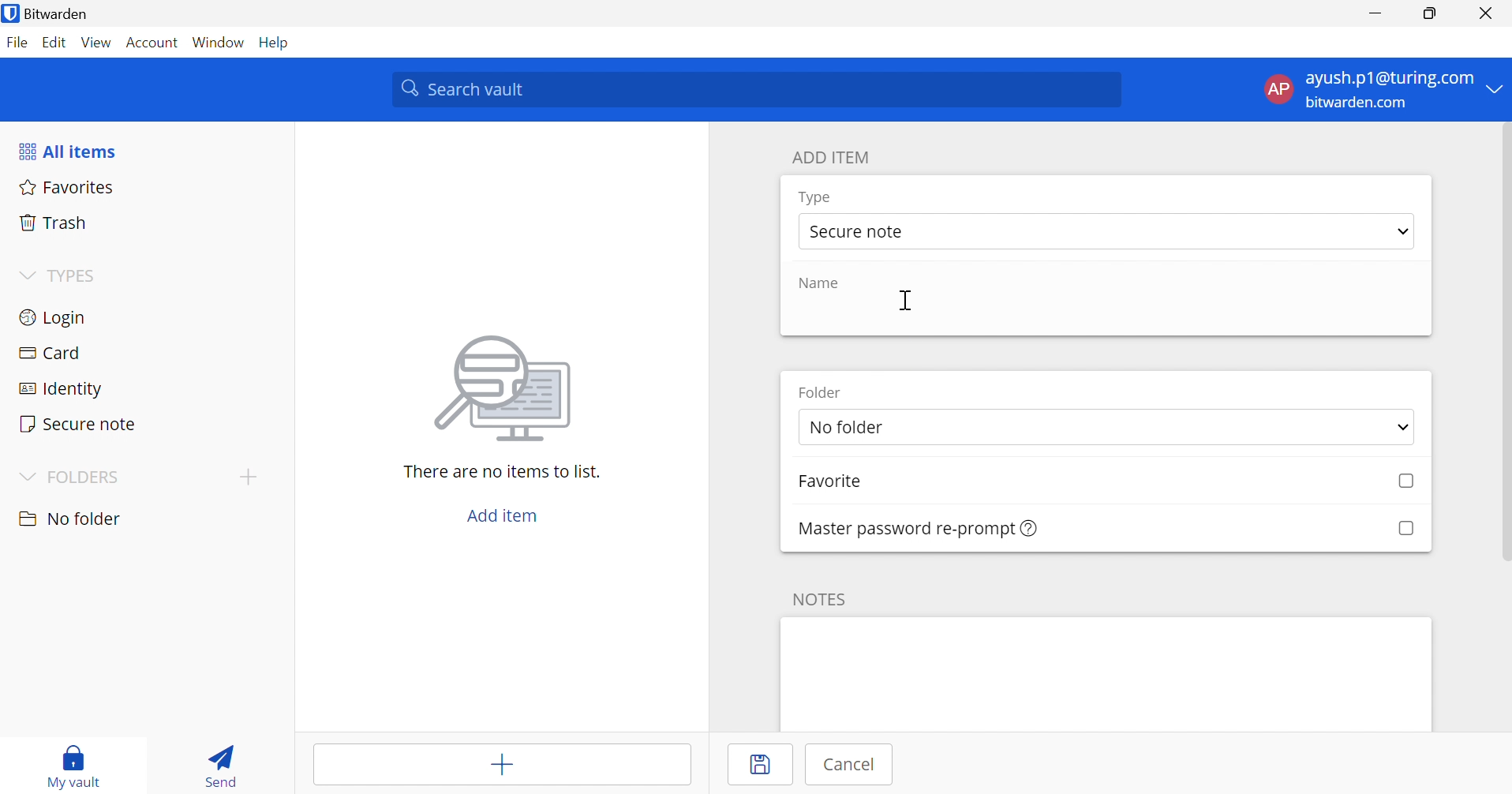  Describe the element at coordinates (758, 90) in the screenshot. I see `Search vault` at that location.